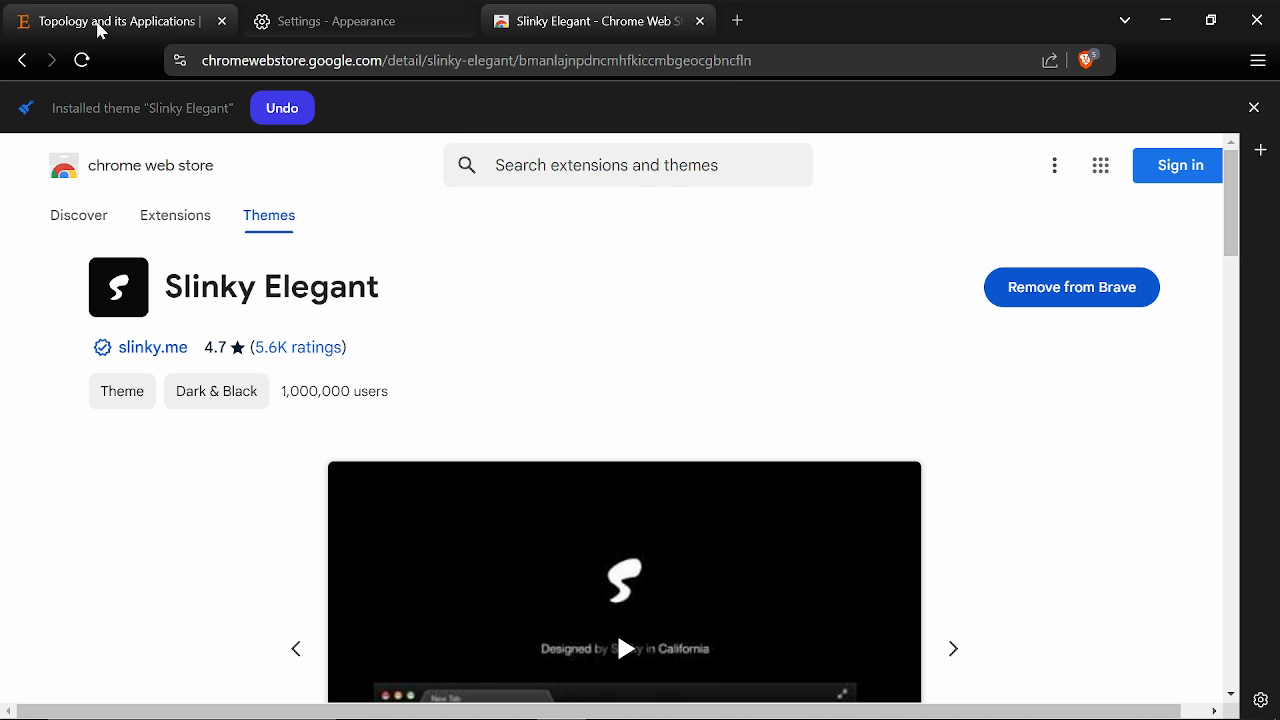 The image size is (1280, 720). I want to click on Share link, so click(1050, 62).